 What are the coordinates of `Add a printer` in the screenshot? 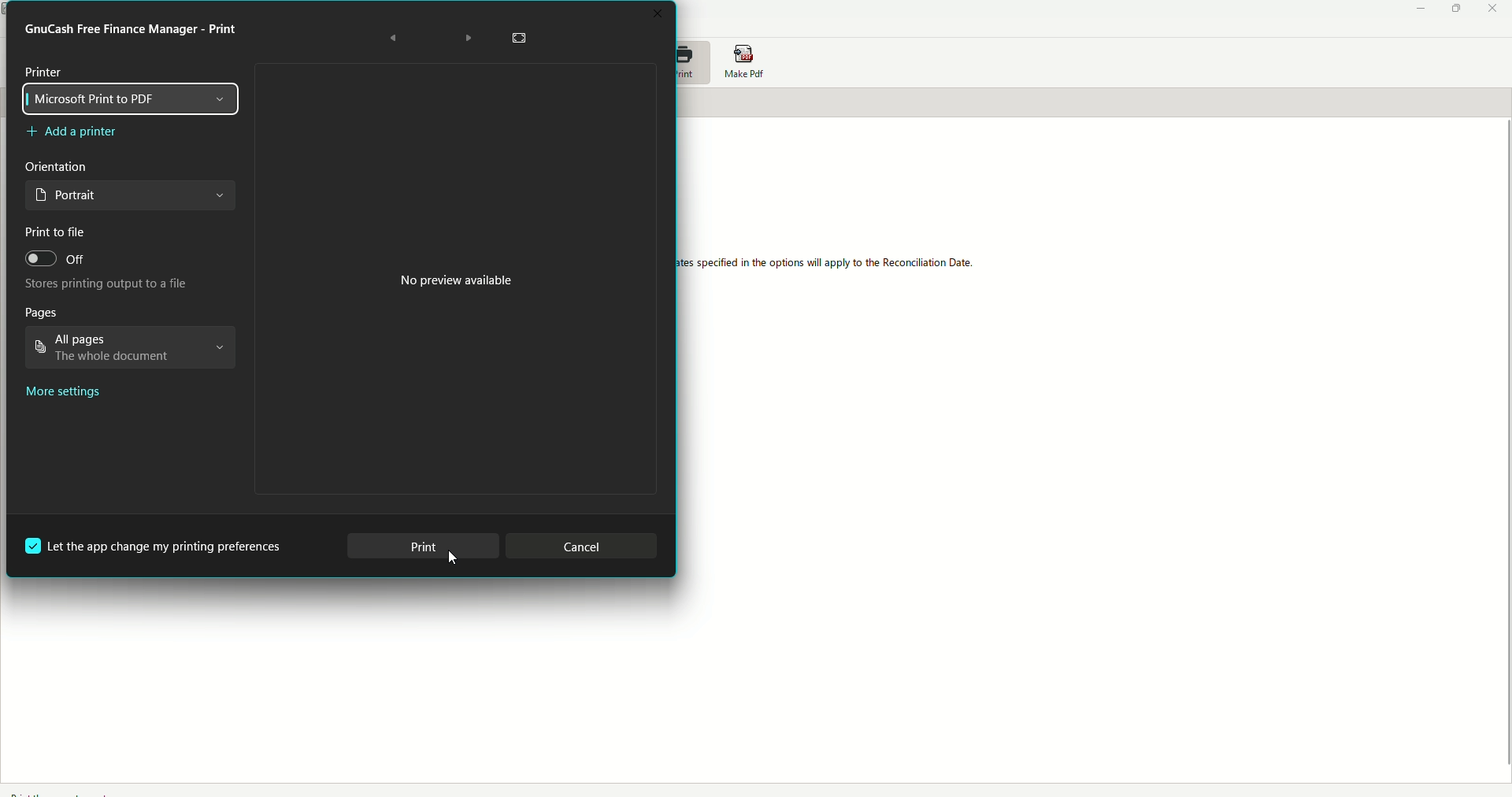 It's located at (77, 135).